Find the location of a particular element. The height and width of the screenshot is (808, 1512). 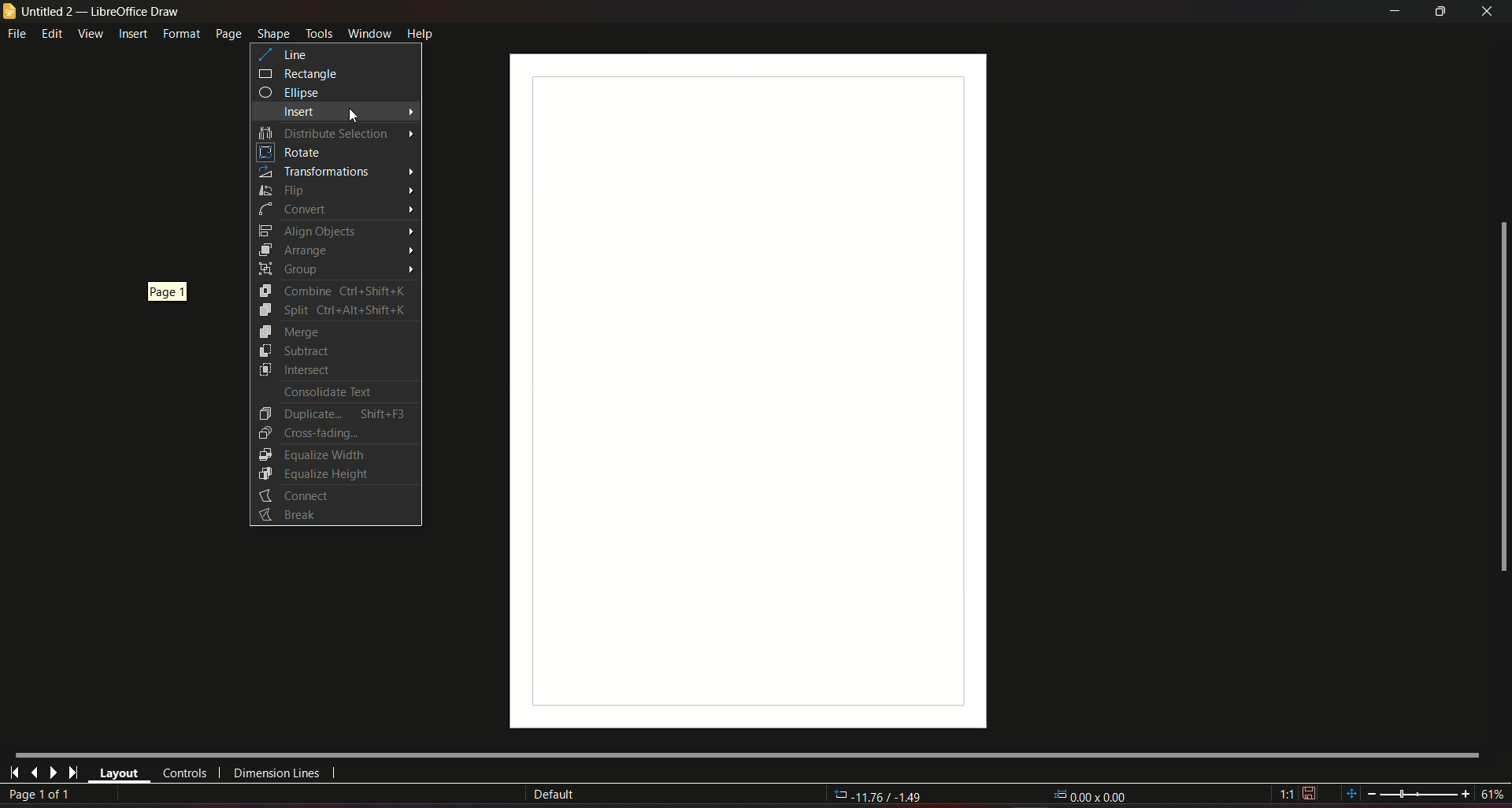

untitled 2 - libreoffice draw is located at coordinates (93, 12).